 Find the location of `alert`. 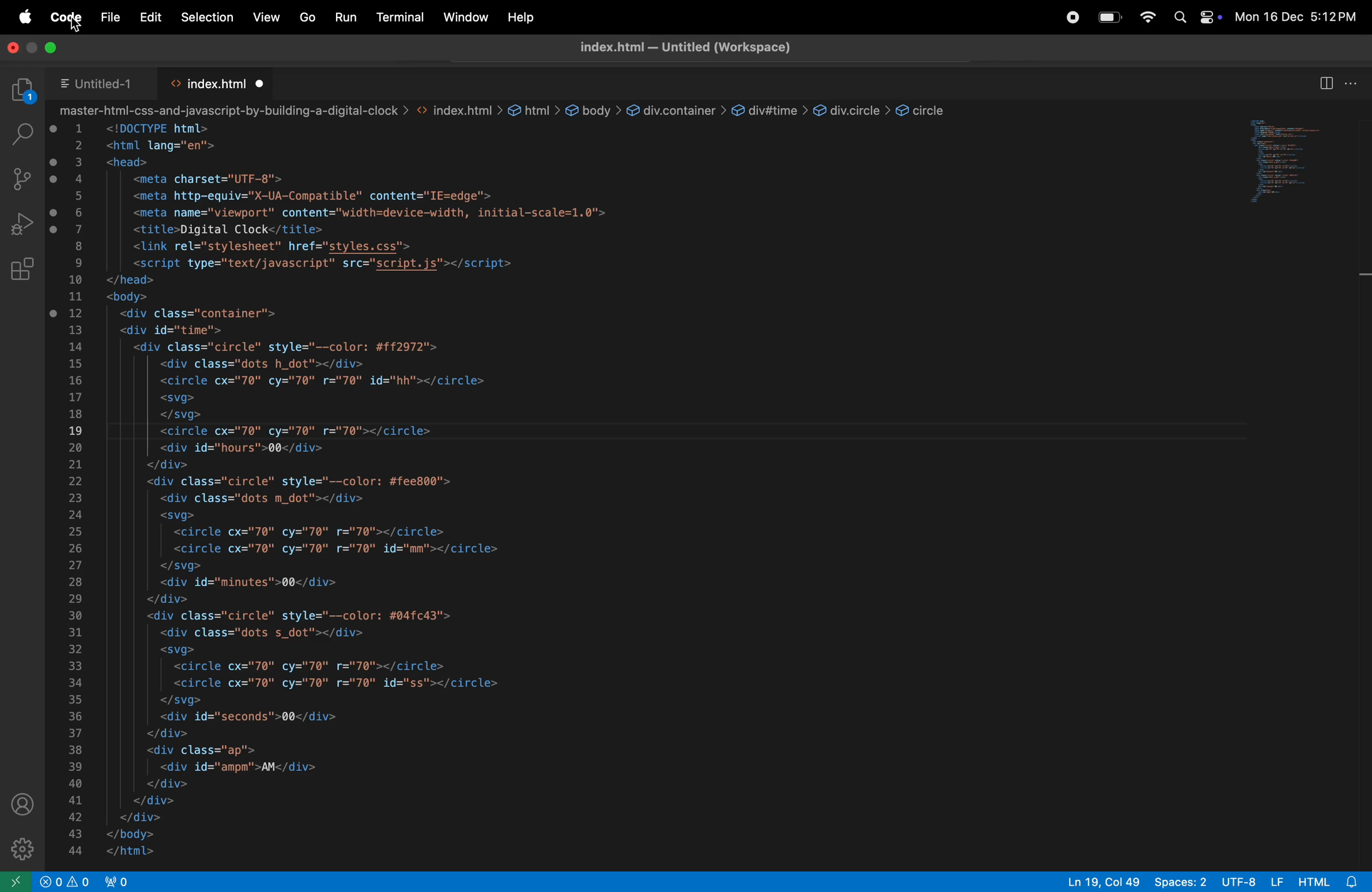

alert is located at coordinates (65, 880).